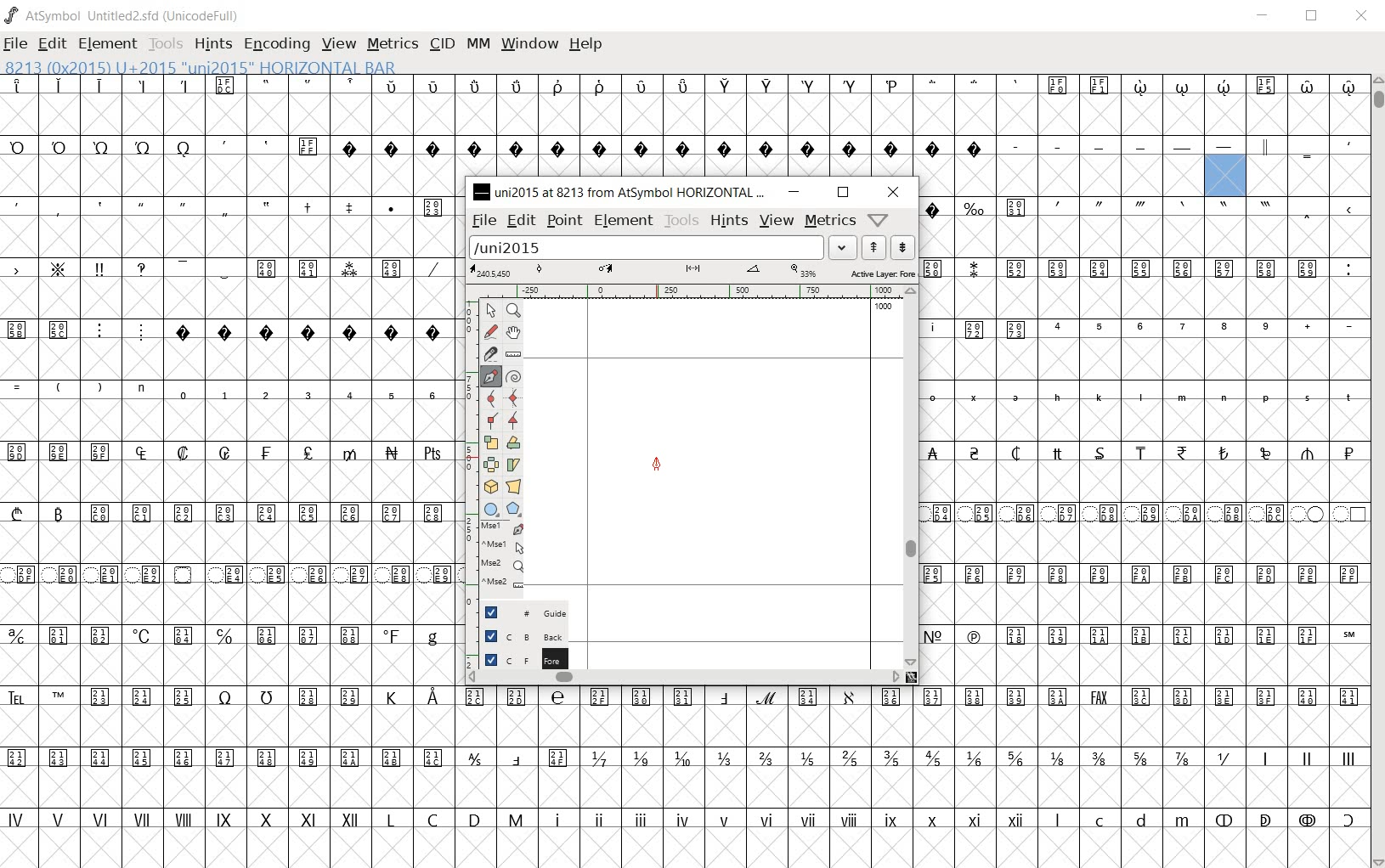  I want to click on uni2015 at 8213 from AtSymbol HORIZONTAL..., so click(620, 192).